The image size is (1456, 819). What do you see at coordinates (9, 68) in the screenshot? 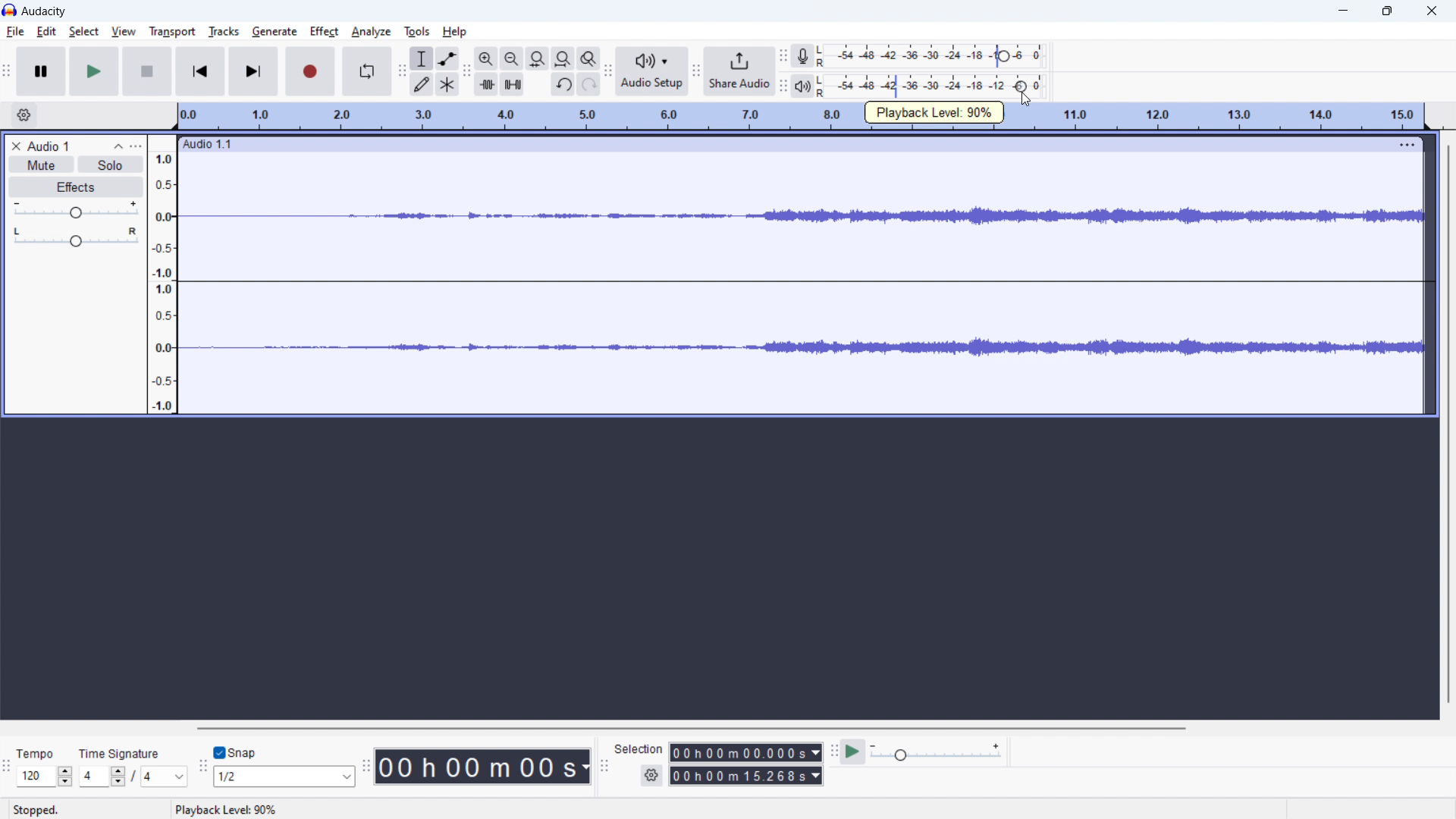
I see `transport toolbar` at bounding box center [9, 68].